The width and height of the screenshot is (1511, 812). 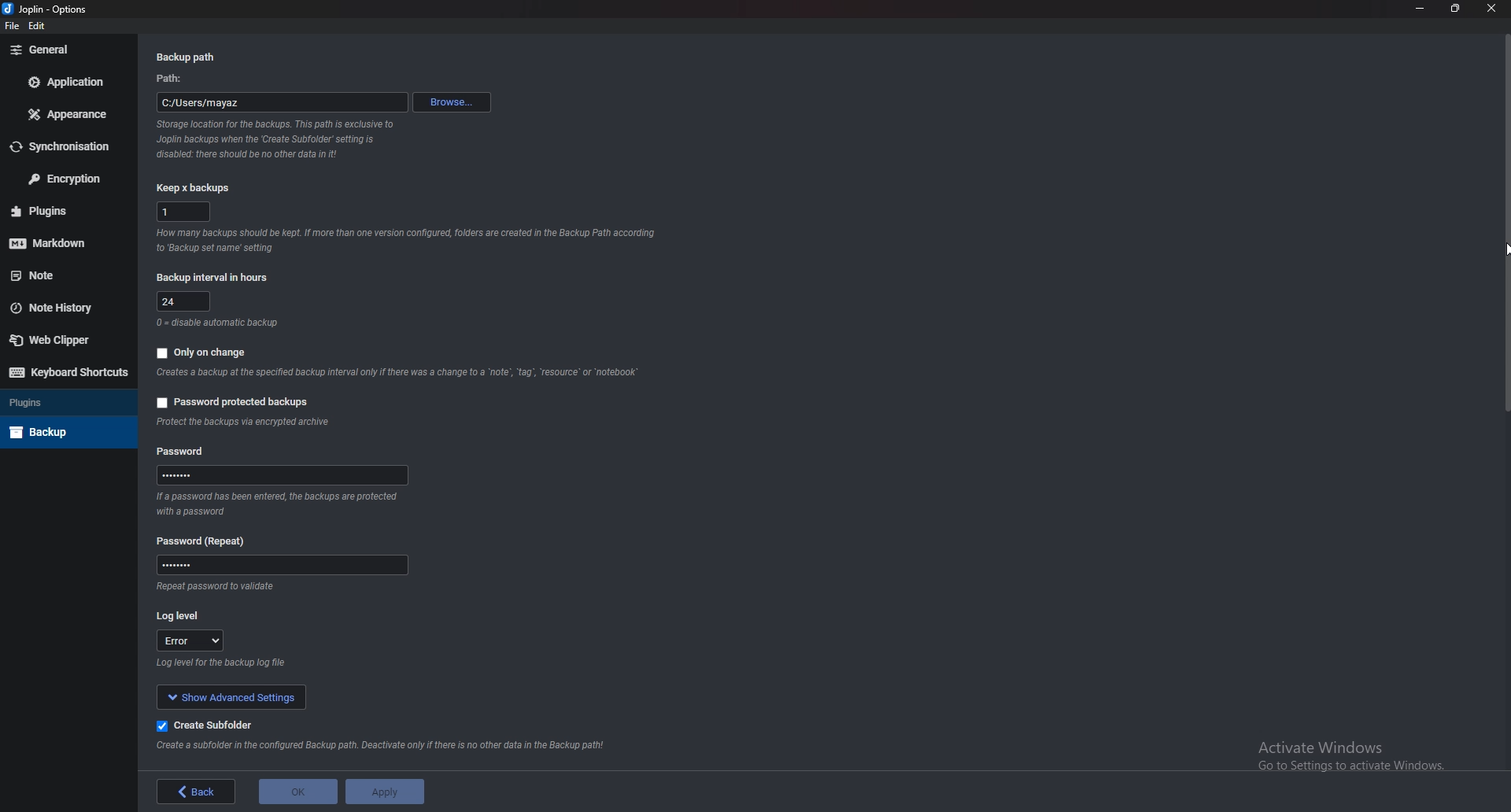 I want to click on path, so click(x=174, y=79).